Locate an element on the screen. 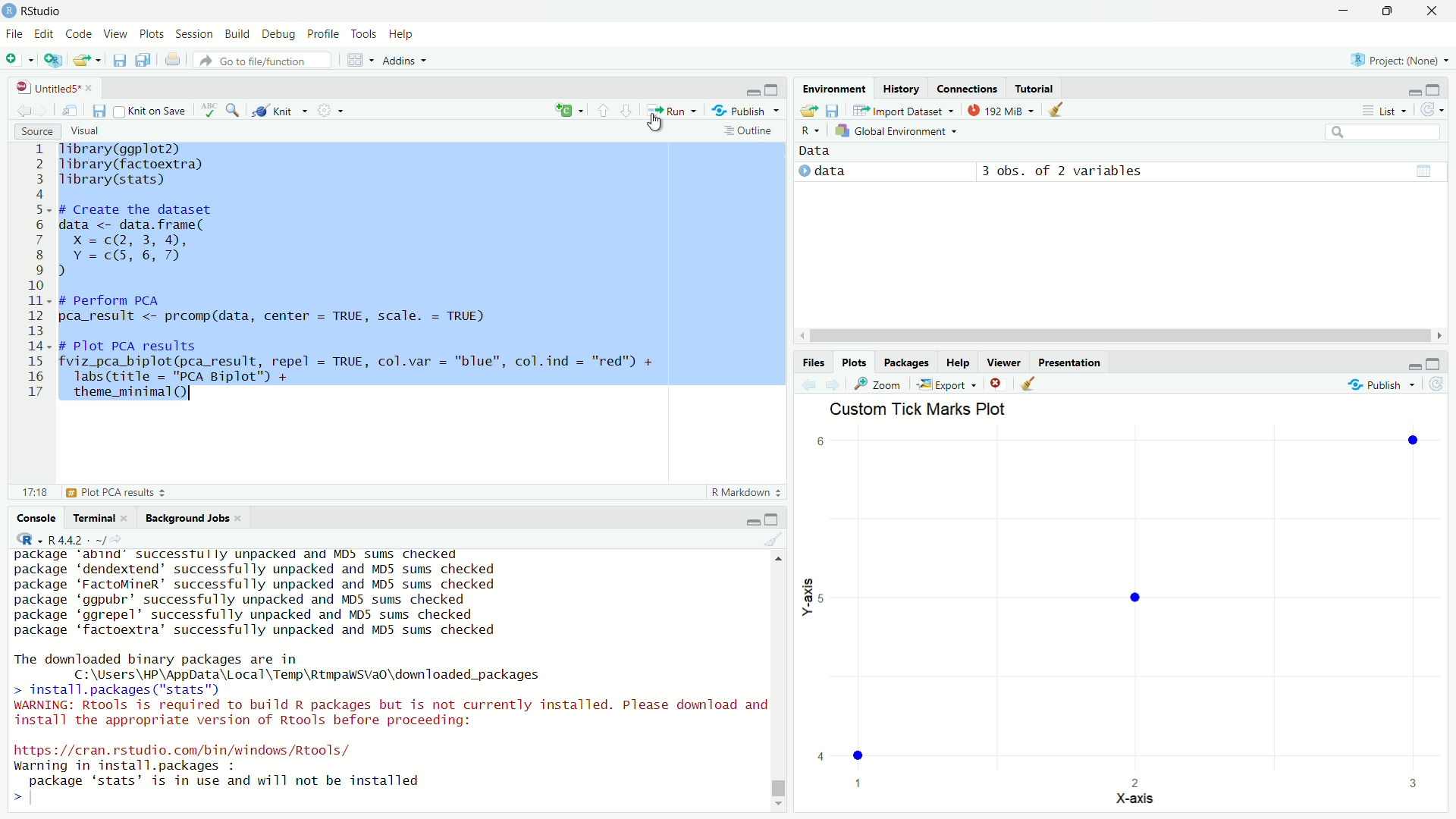  vertical scrollbar is located at coordinates (780, 789).